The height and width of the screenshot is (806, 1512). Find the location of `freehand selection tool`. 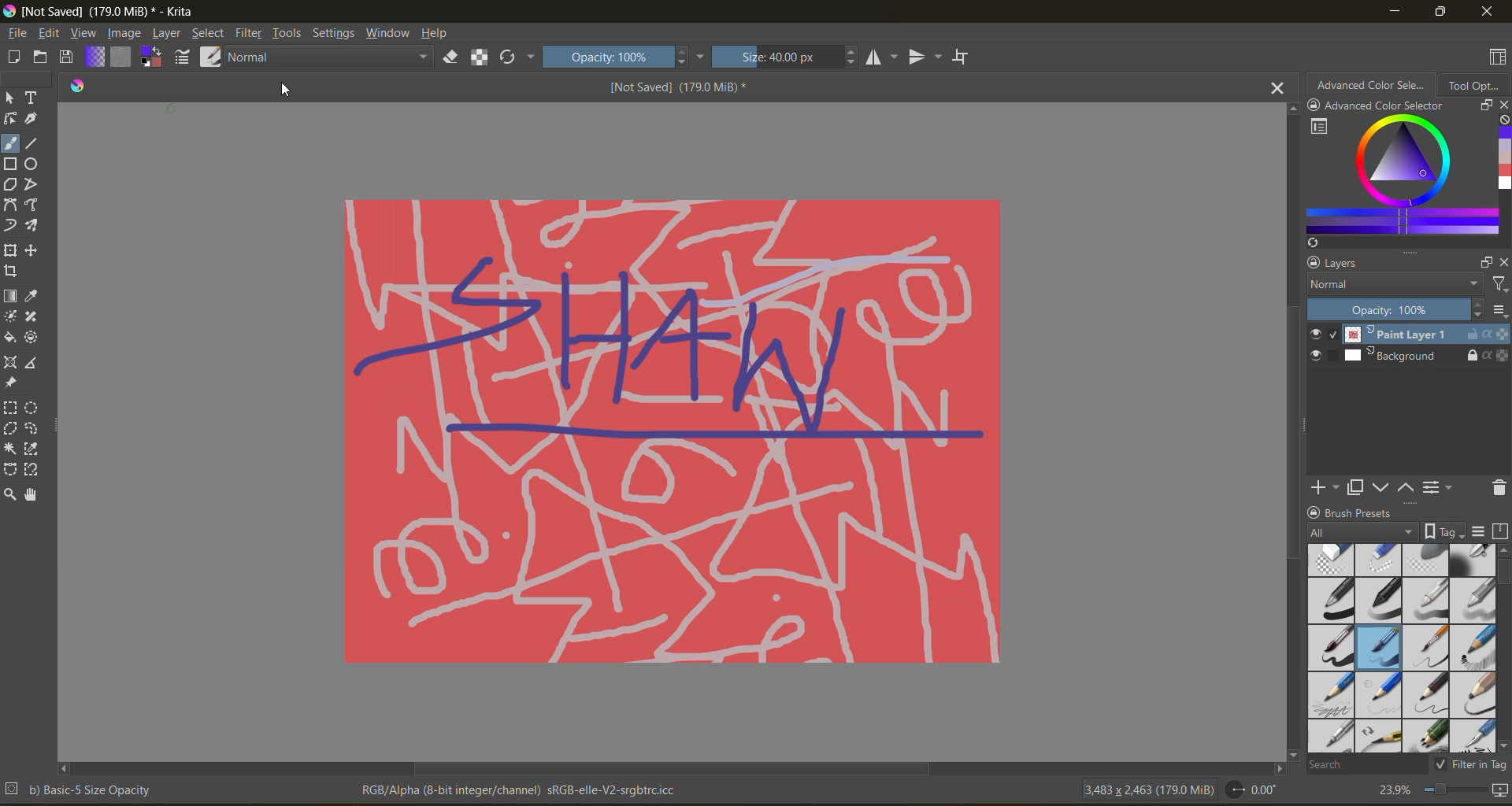

freehand selection tool is located at coordinates (35, 428).